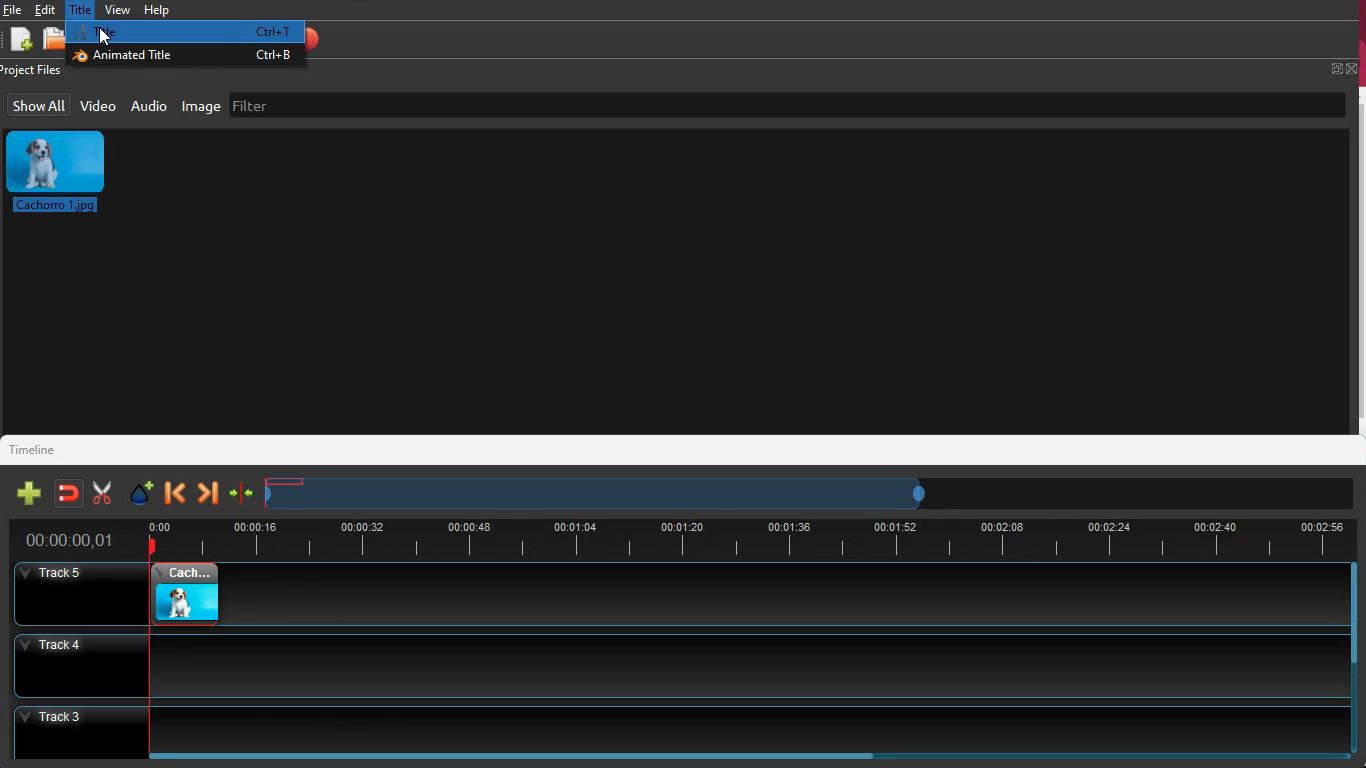  I want to click on track, so click(785, 595).